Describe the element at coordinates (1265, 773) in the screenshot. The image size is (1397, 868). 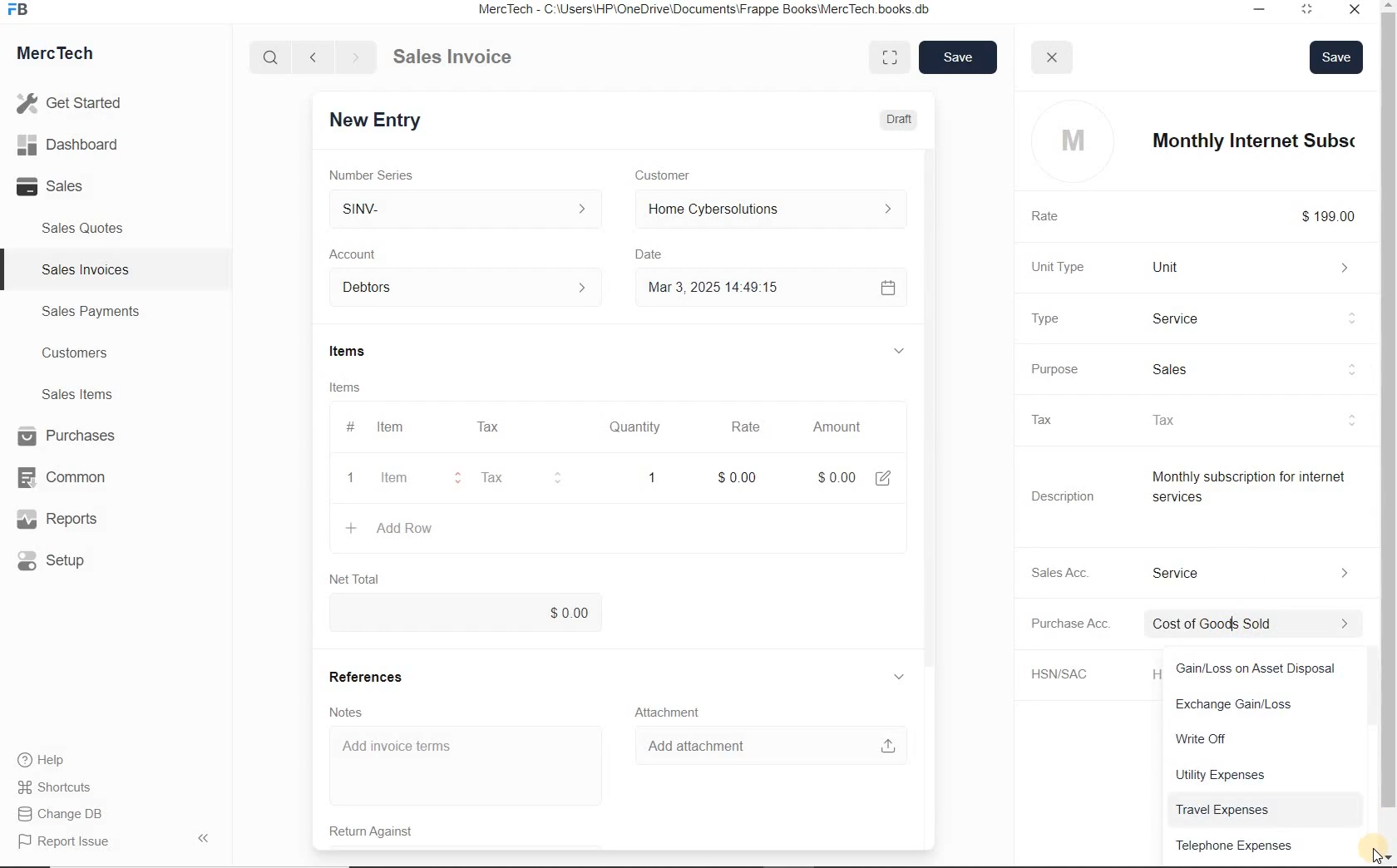
I see `Utility Expenses` at that location.